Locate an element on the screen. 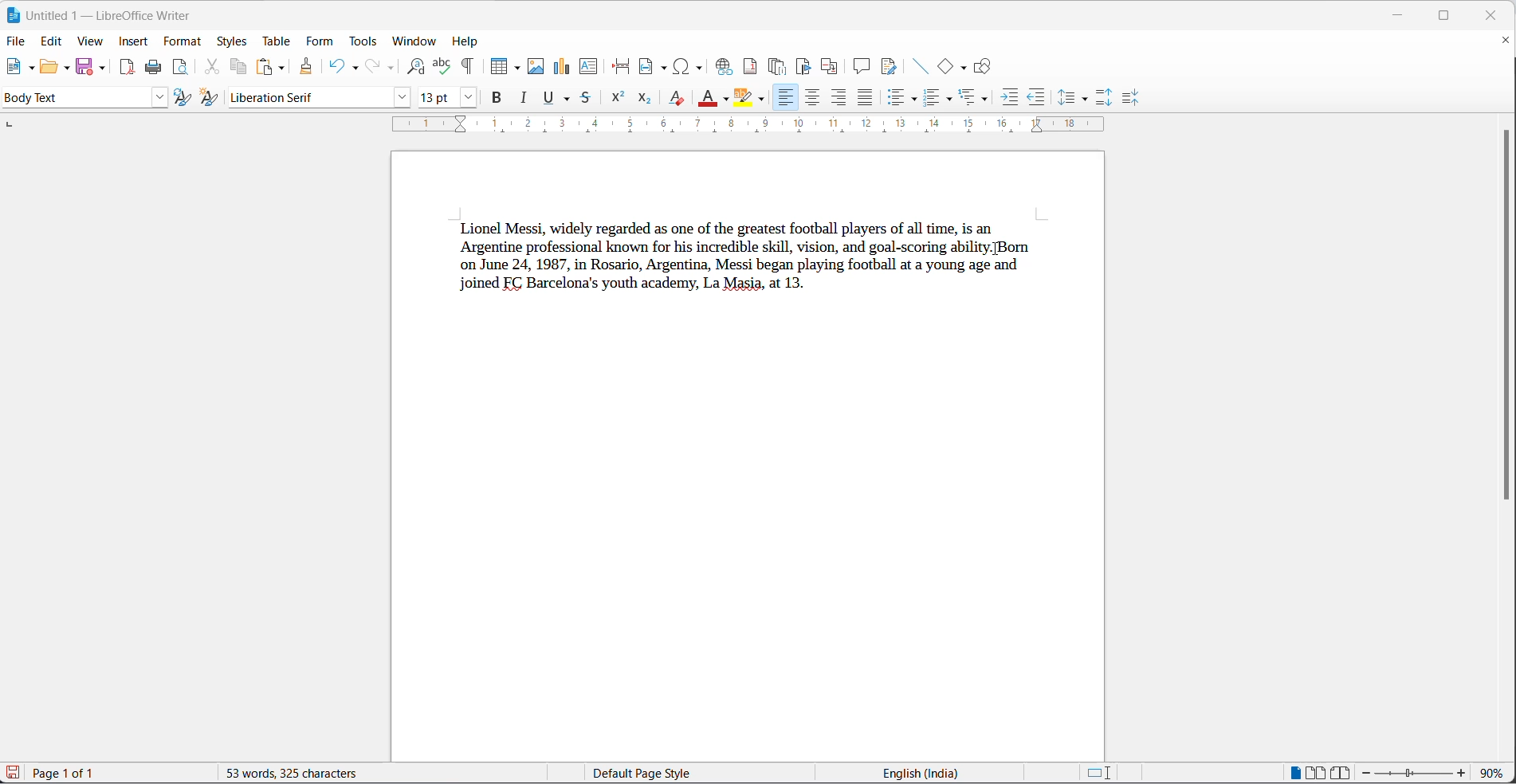 This screenshot has height=784, width=1516. clear direct formatting is located at coordinates (677, 98).